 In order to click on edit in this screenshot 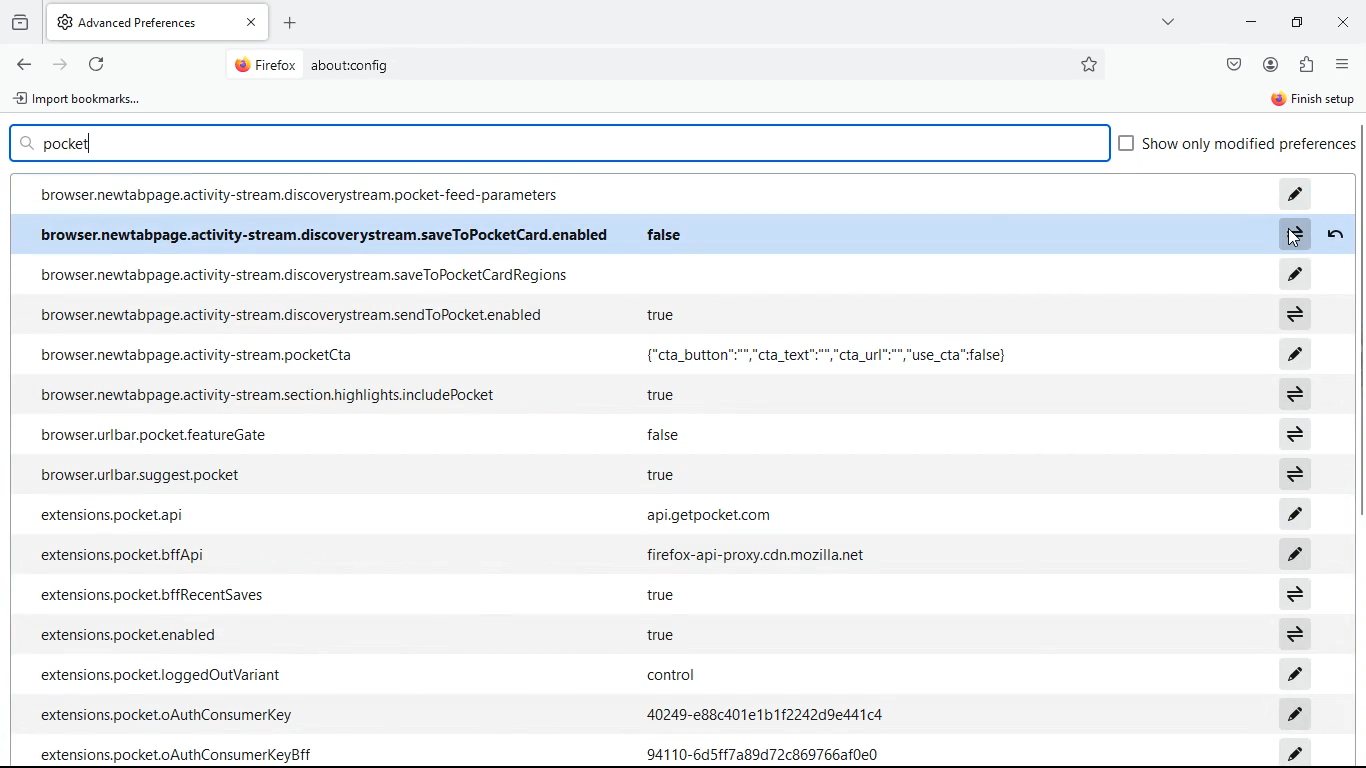, I will do `click(1293, 673)`.